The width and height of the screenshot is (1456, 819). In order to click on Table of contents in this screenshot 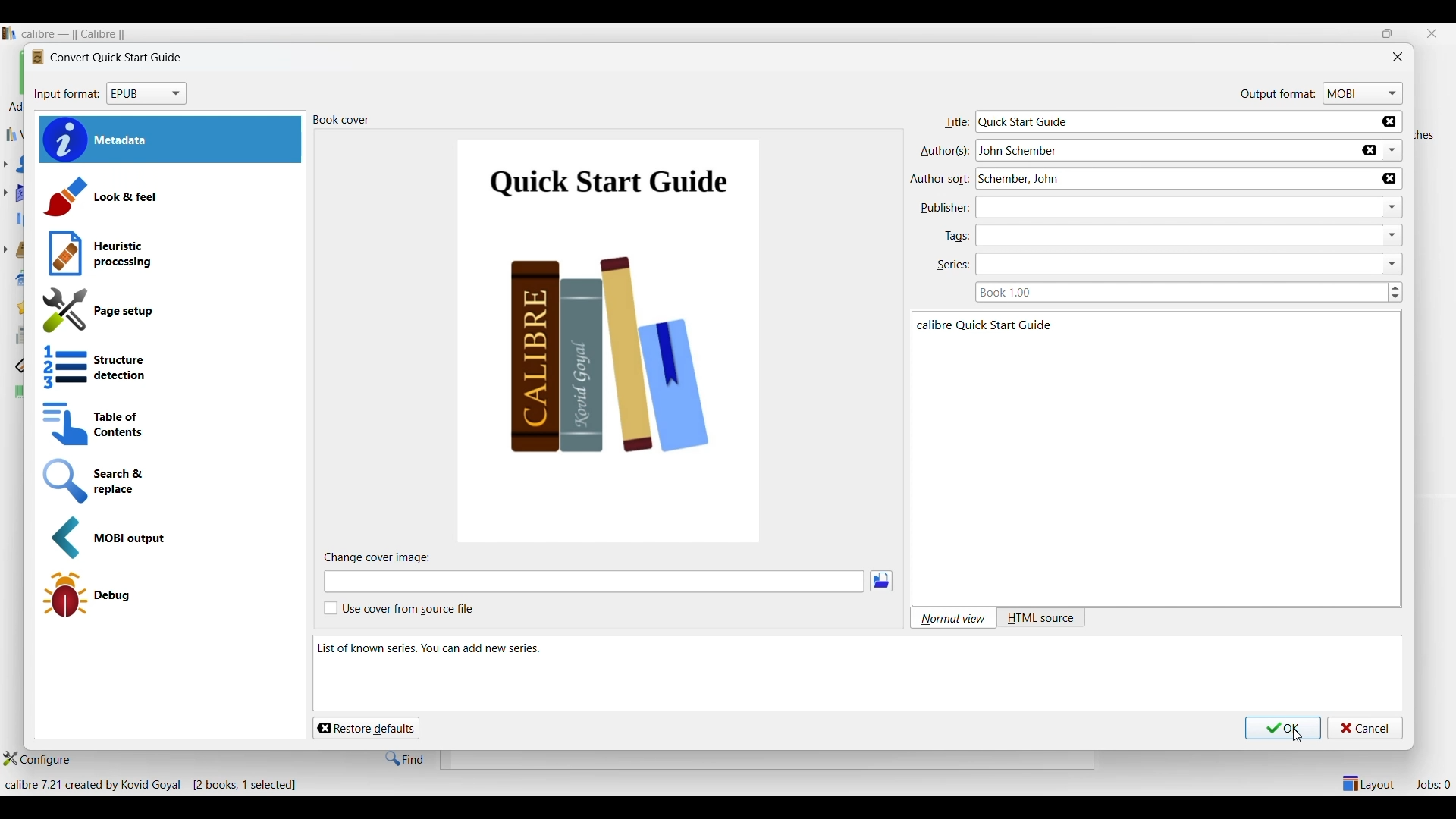, I will do `click(168, 425)`.